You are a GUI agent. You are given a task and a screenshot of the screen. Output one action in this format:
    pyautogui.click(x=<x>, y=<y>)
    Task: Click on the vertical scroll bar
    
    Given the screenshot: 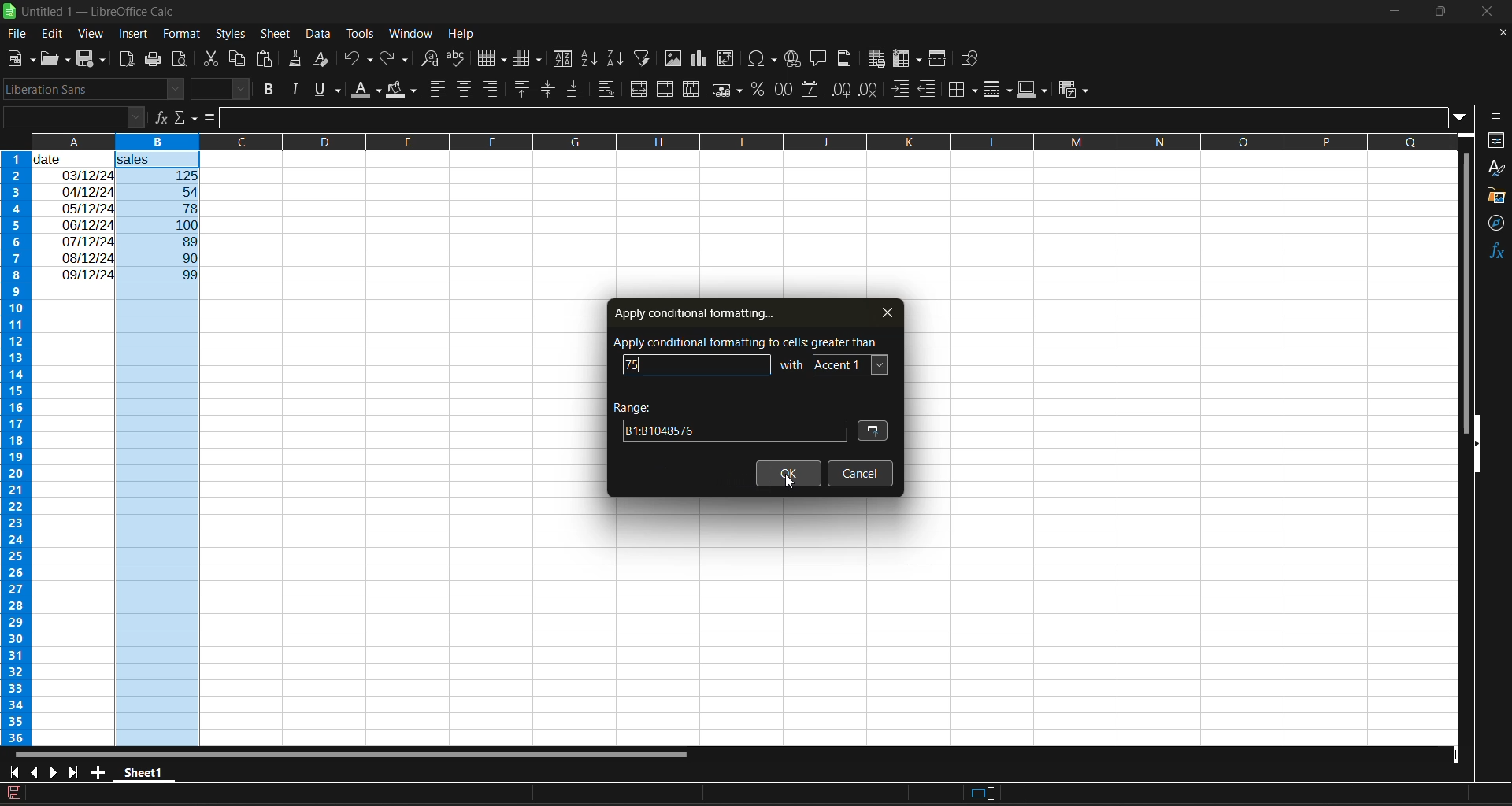 What is the action you would take?
    pyautogui.click(x=1466, y=278)
    